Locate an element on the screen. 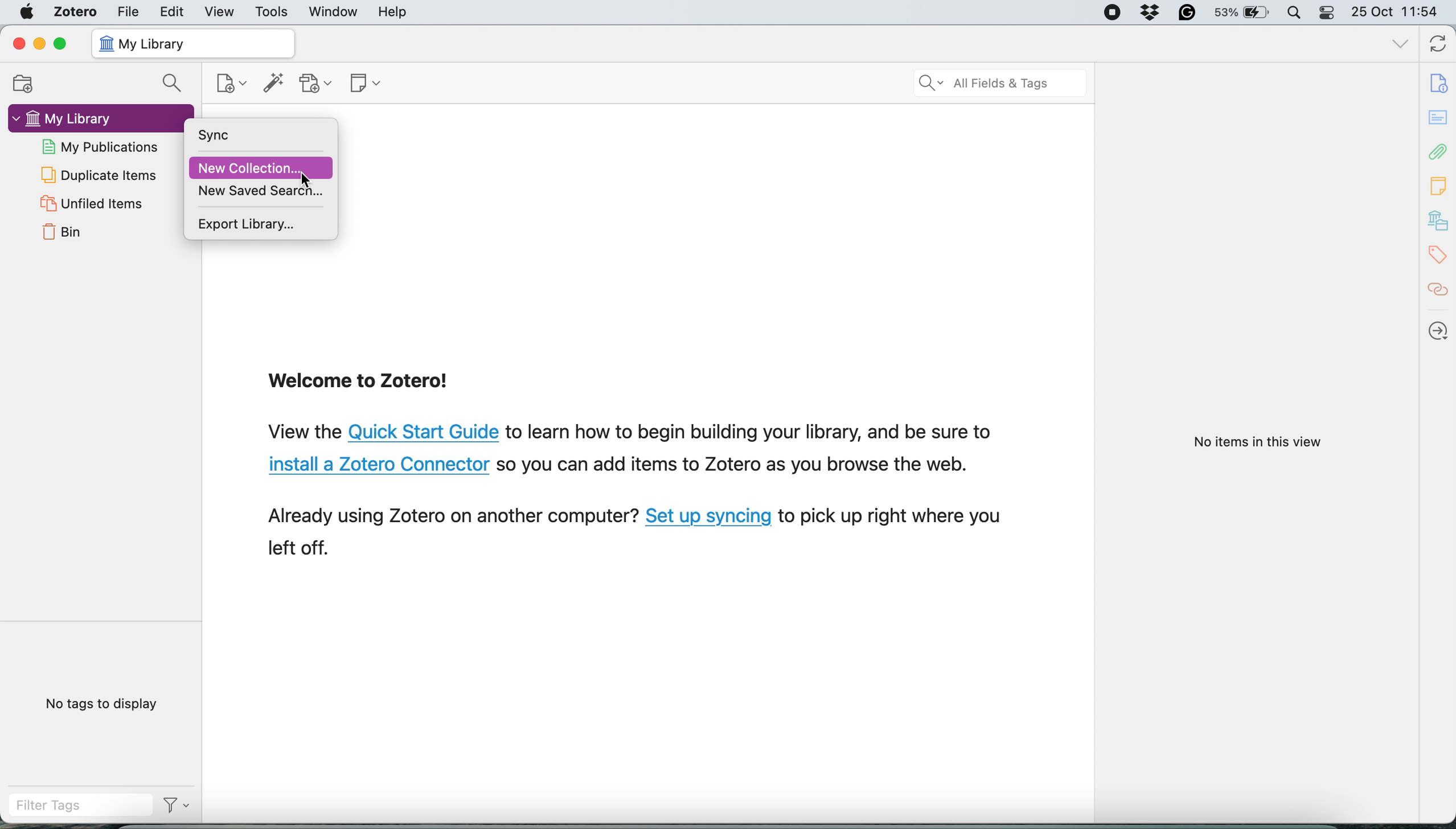  View the Quick Start Guide to learn how to begin building your library, and be sure to install a Zotero Connector so you can add items to Zotero as you browse the web. Already using Zotero on another computer? Set up syncing to pick up right where you left off. is located at coordinates (638, 495).